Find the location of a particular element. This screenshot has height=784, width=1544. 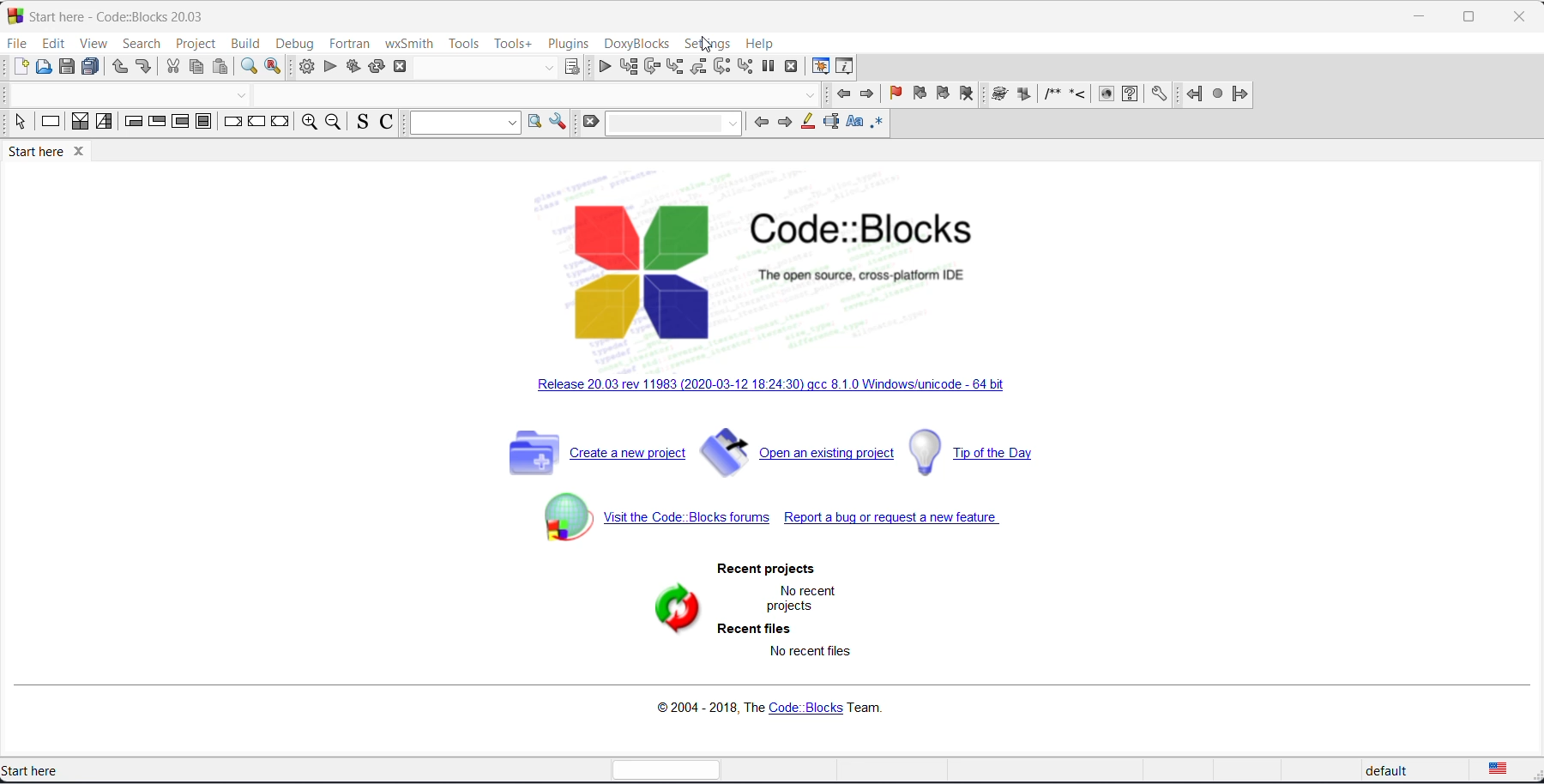

jump back is located at coordinates (1195, 93).